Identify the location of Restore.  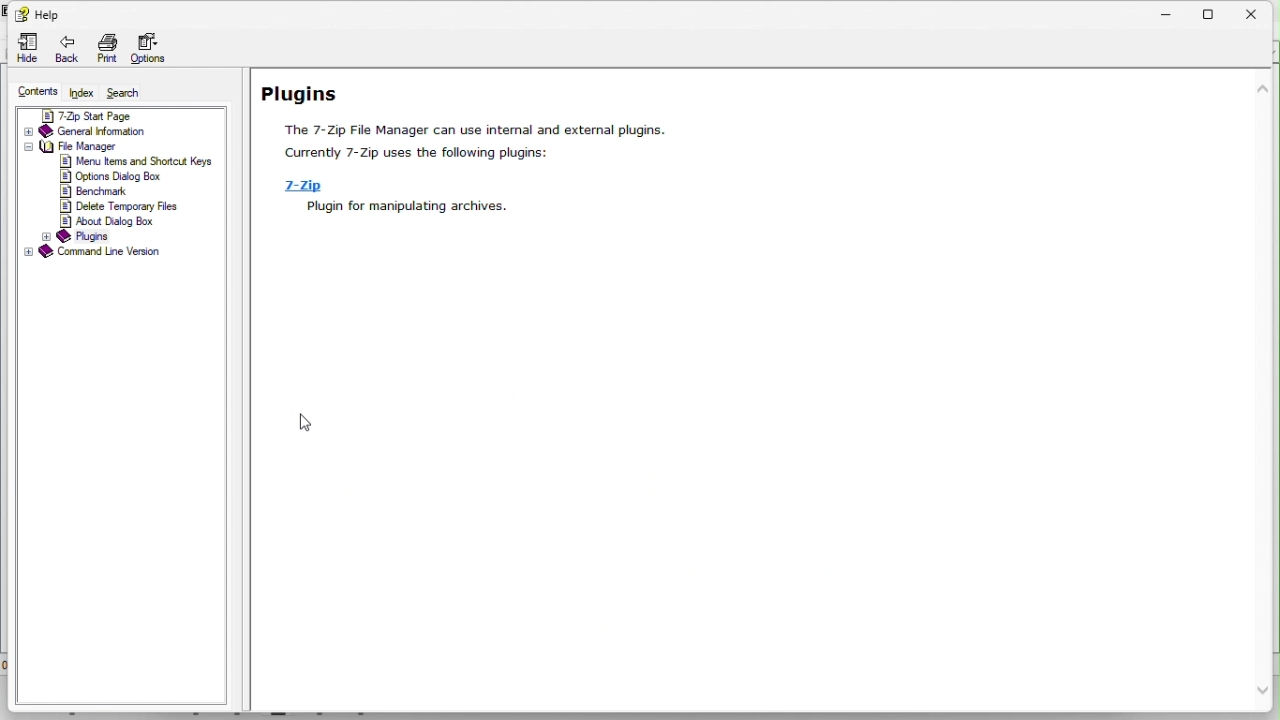
(1208, 12).